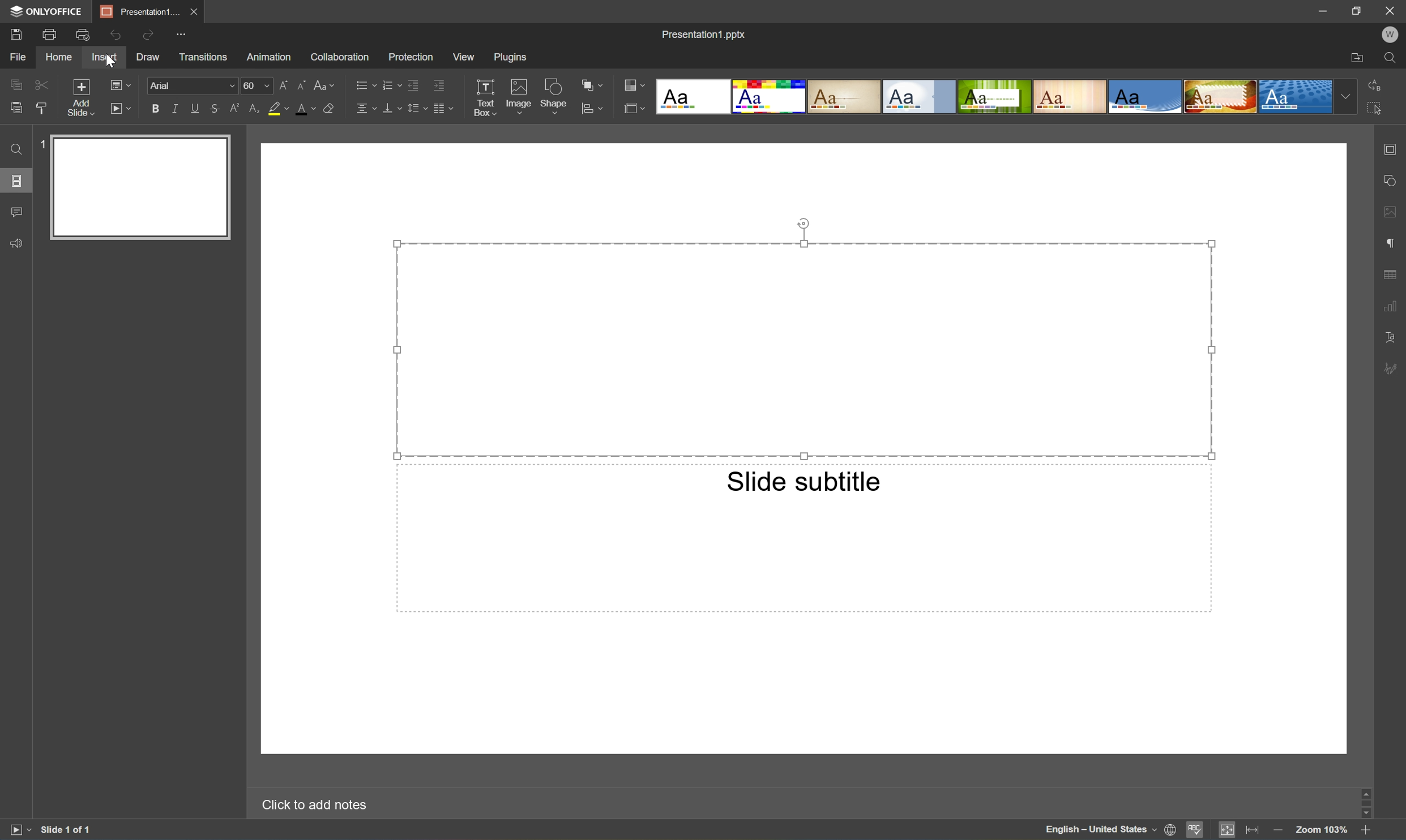  Describe the element at coordinates (148, 57) in the screenshot. I see `Draw` at that location.